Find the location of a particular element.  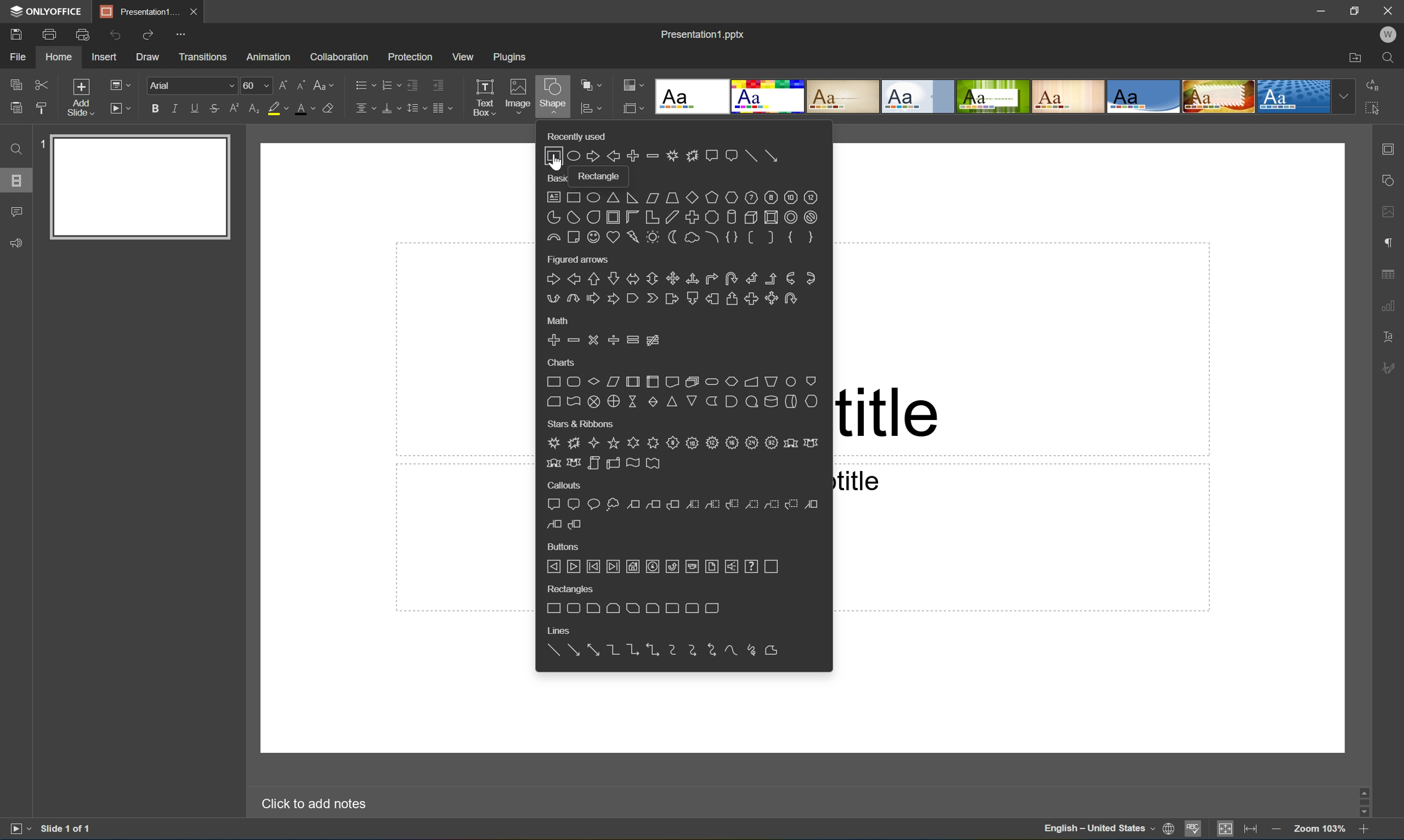

Decrease indent is located at coordinates (413, 83).